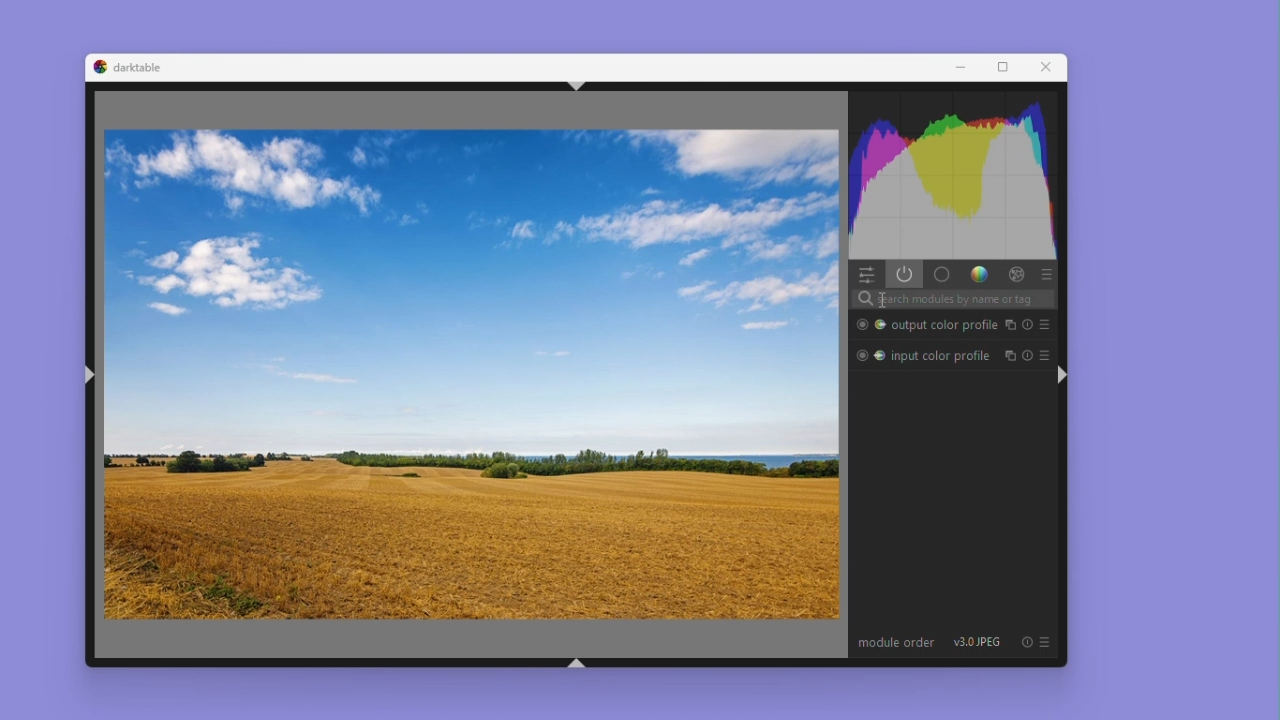 The height and width of the screenshot is (720, 1280). I want to click on Color Calibration, so click(880, 324).